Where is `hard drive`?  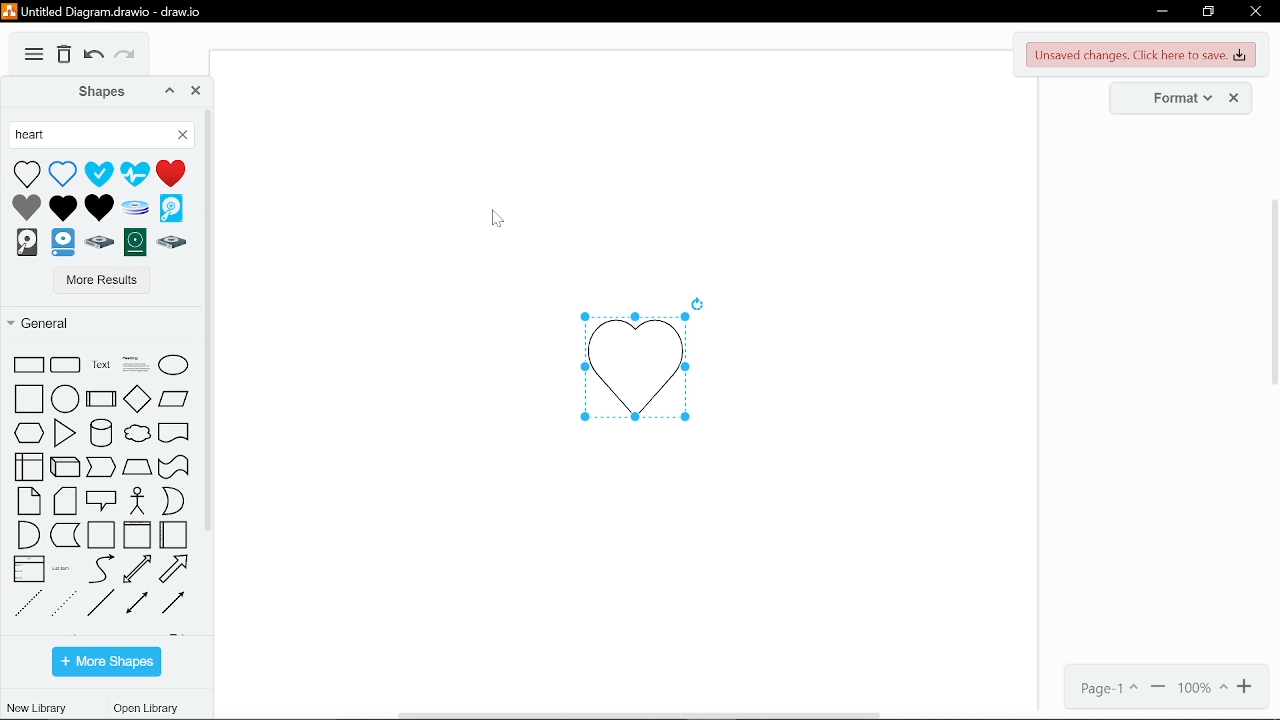
hard drive is located at coordinates (98, 245).